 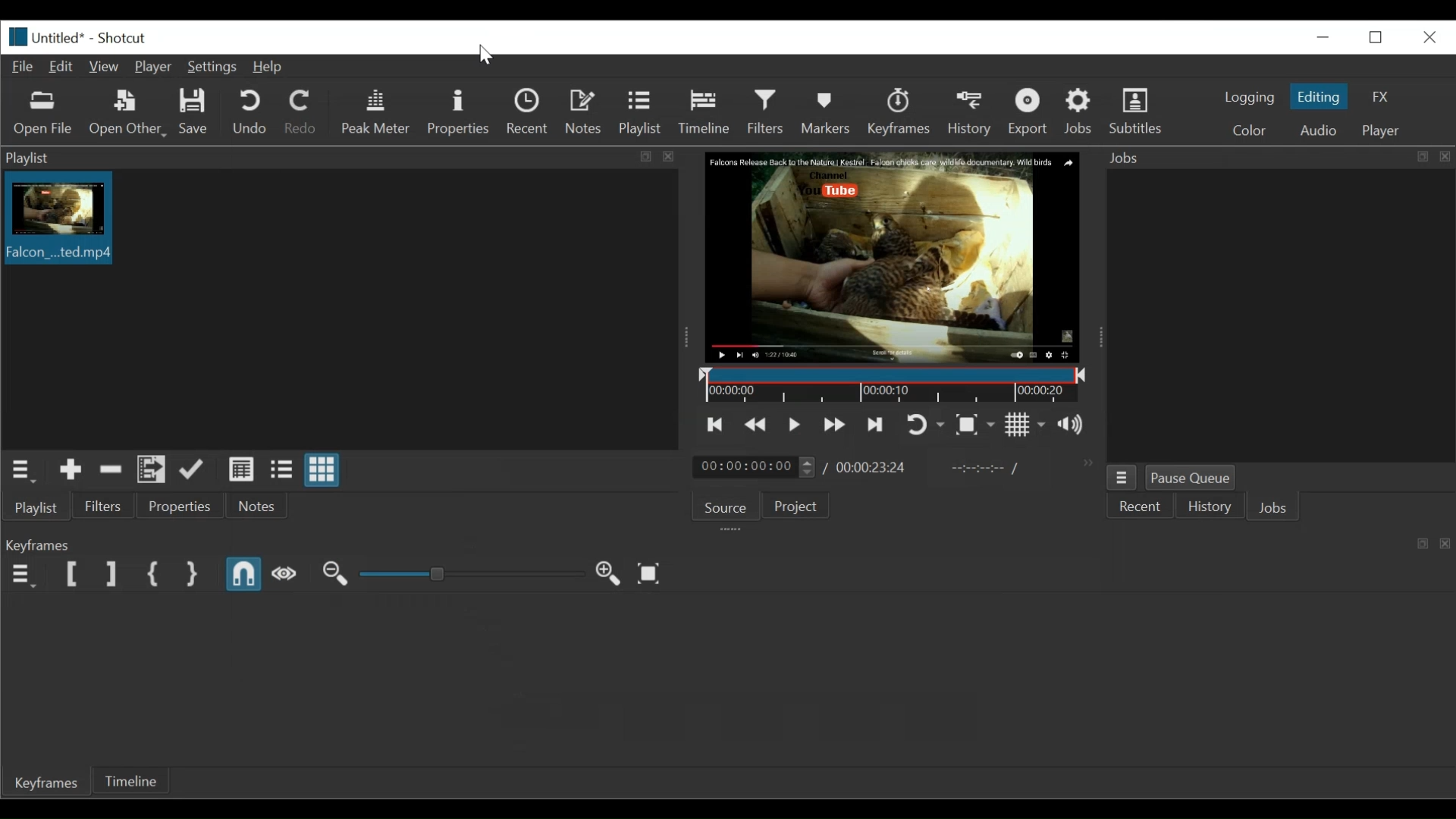 I want to click on History, so click(x=1210, y=510).